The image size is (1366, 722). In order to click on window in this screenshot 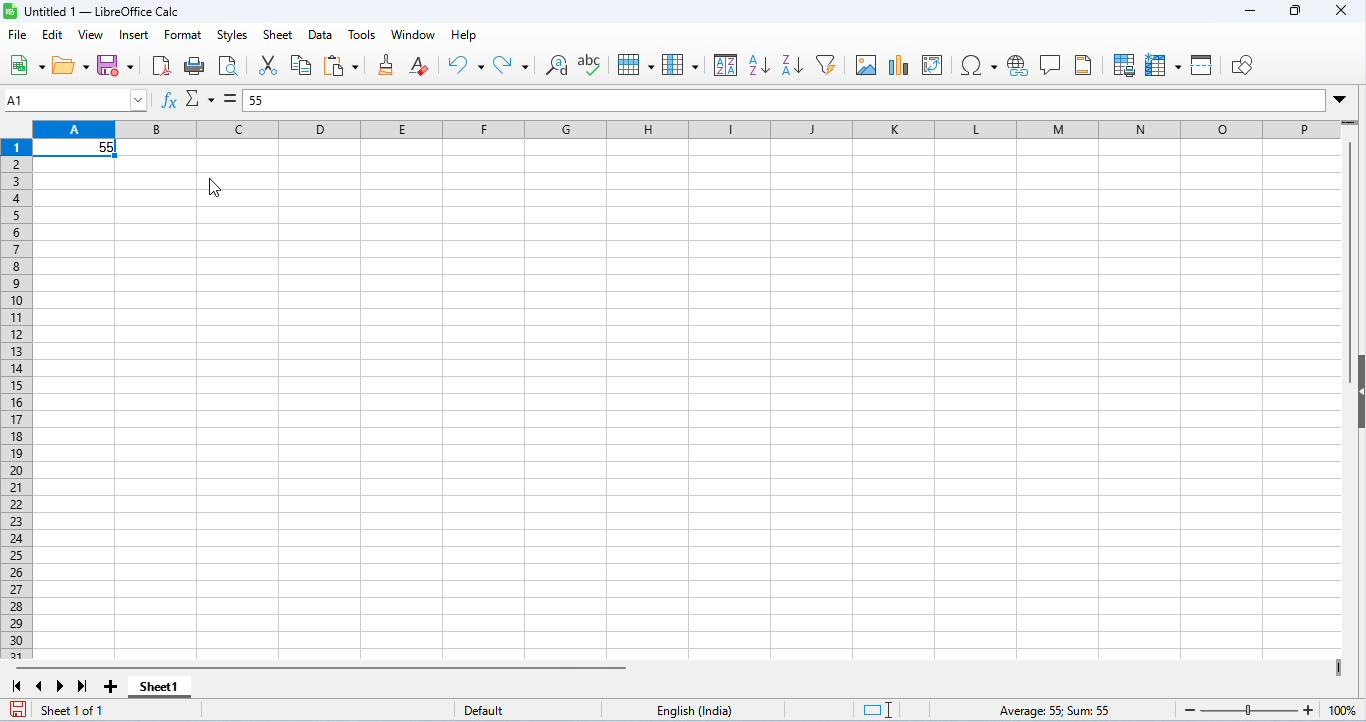, I will do `click(413, 35)`.